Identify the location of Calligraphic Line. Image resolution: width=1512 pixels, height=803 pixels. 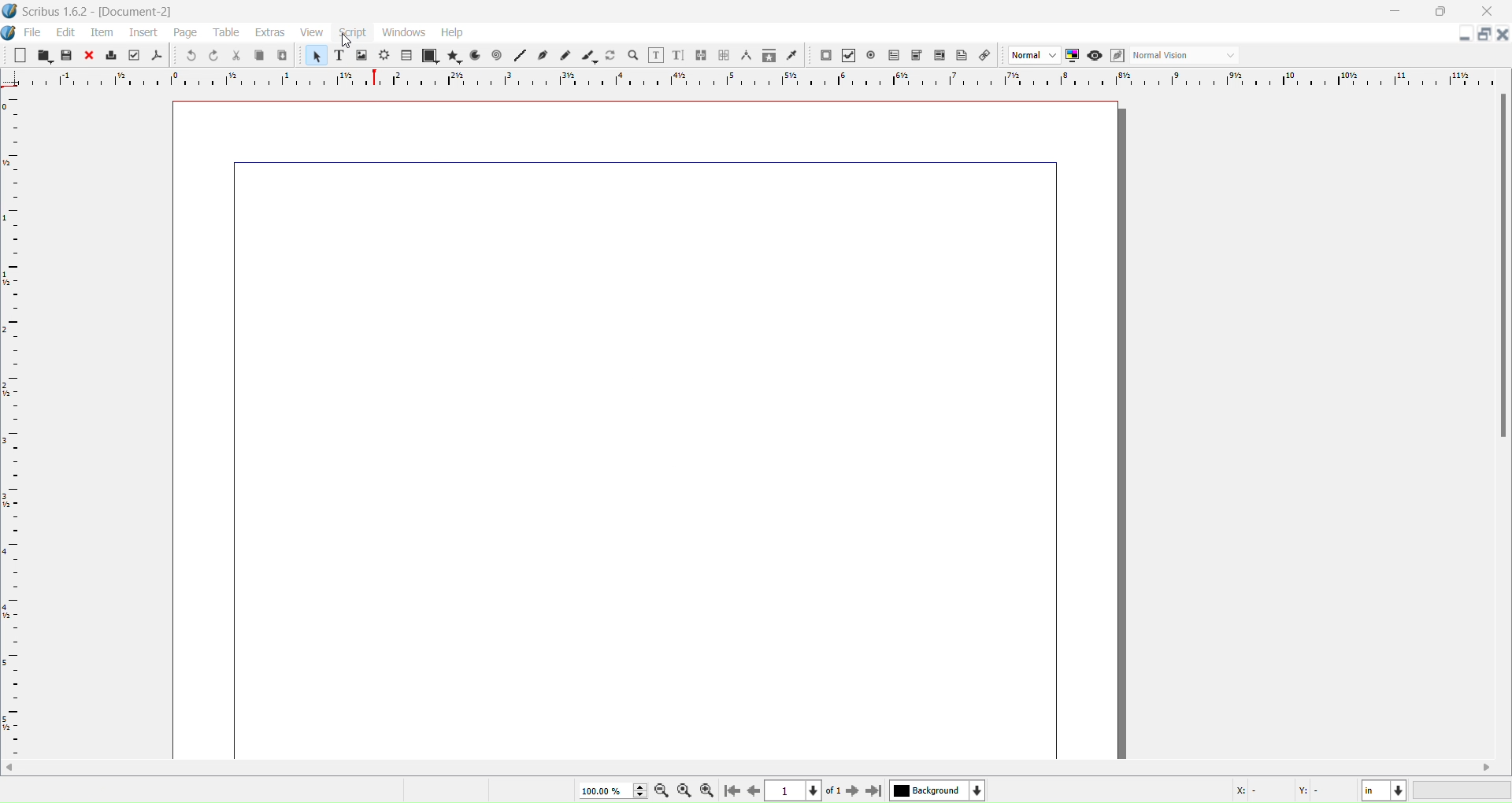
(591, 55).